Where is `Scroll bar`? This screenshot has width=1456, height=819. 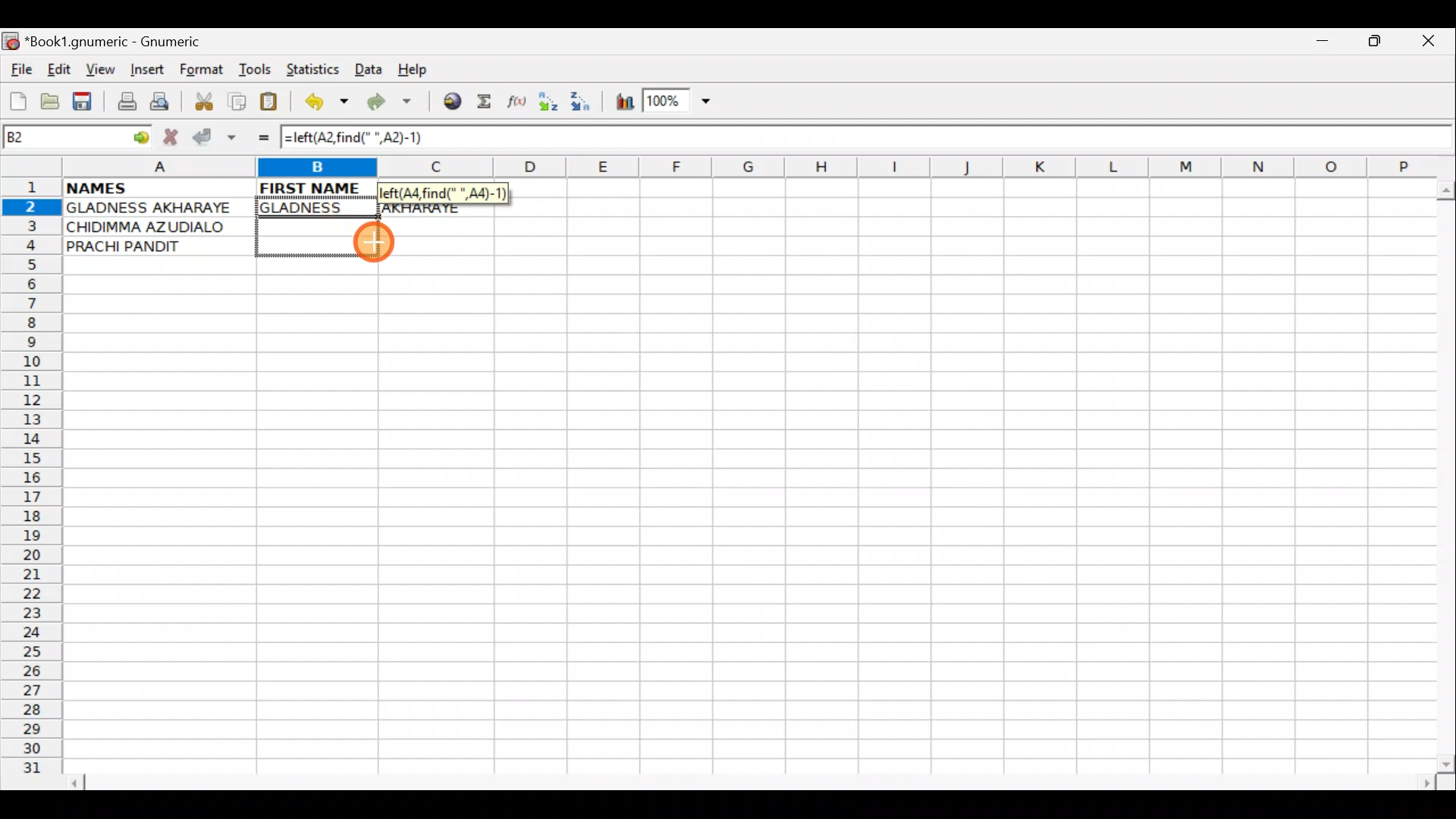
Scroll bar is located at coordinates (1442, 473).